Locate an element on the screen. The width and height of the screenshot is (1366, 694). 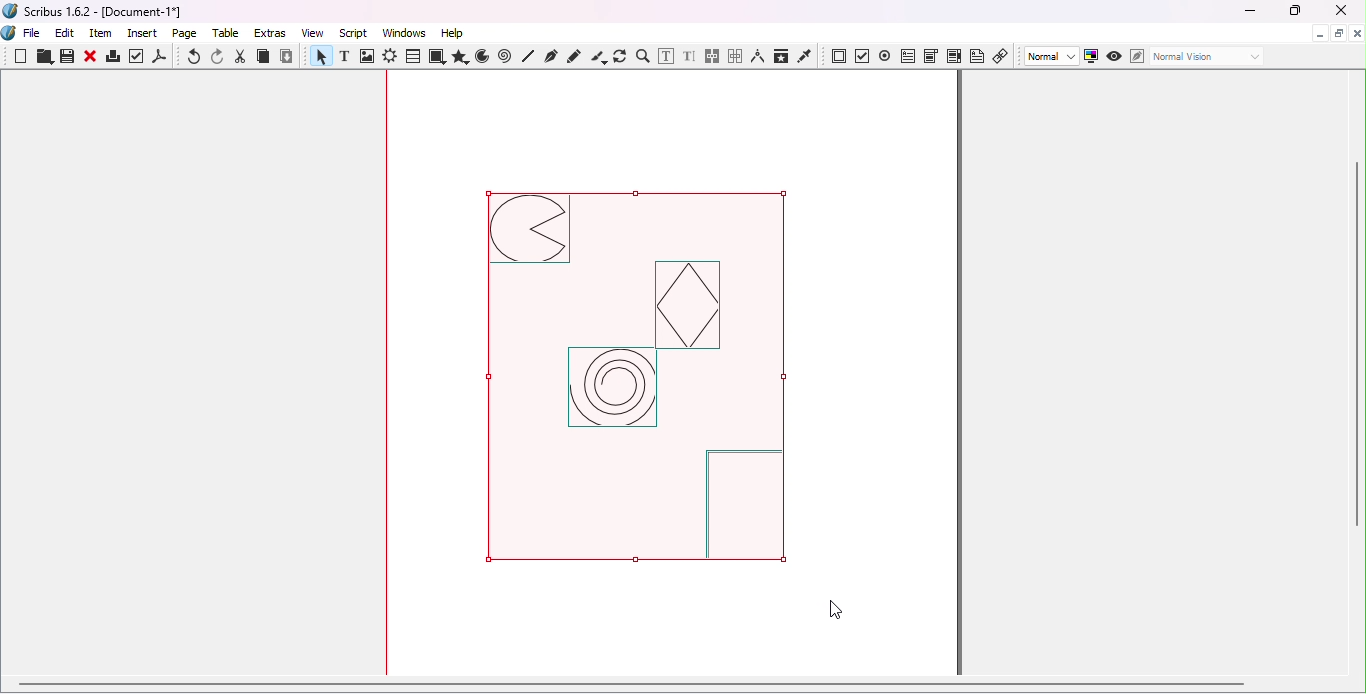
Cursor is located at coordinates (841, 613).